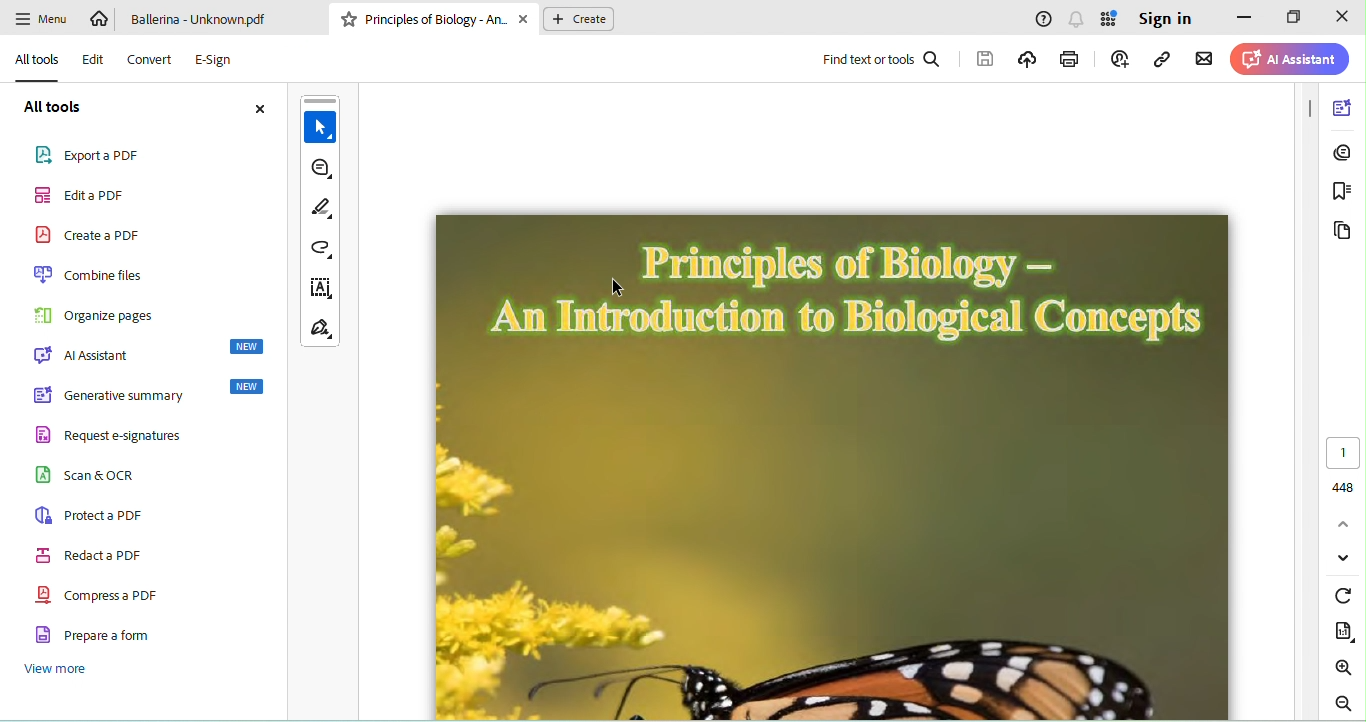 The width and height of the screenshot is (1366, 722). Describe the element at coordinates (89, 155) in the screenshot. I see `export a pdf` at that location.